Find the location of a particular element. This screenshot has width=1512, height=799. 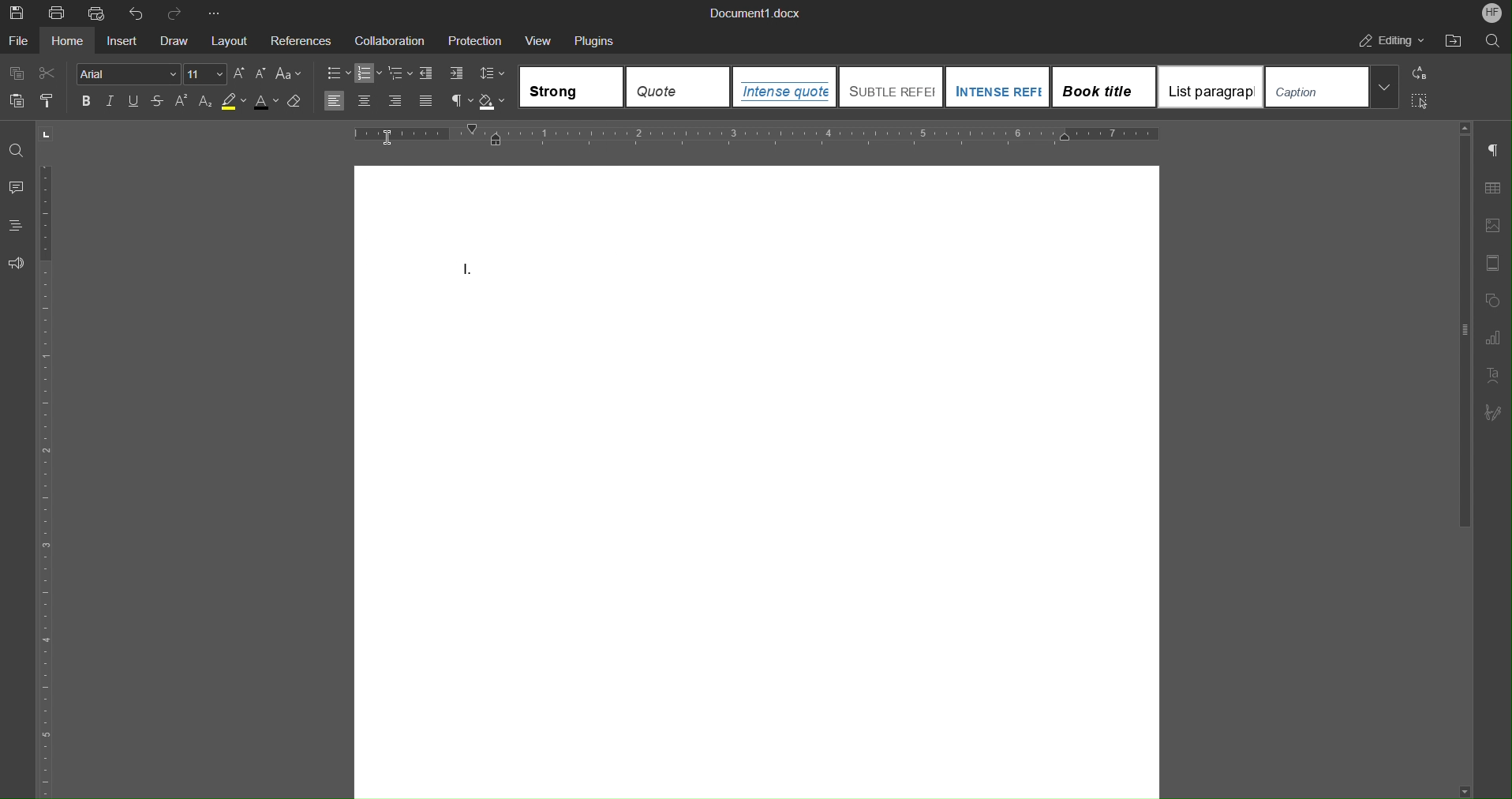

Shape Settings is located at coordinates (1494, 301).